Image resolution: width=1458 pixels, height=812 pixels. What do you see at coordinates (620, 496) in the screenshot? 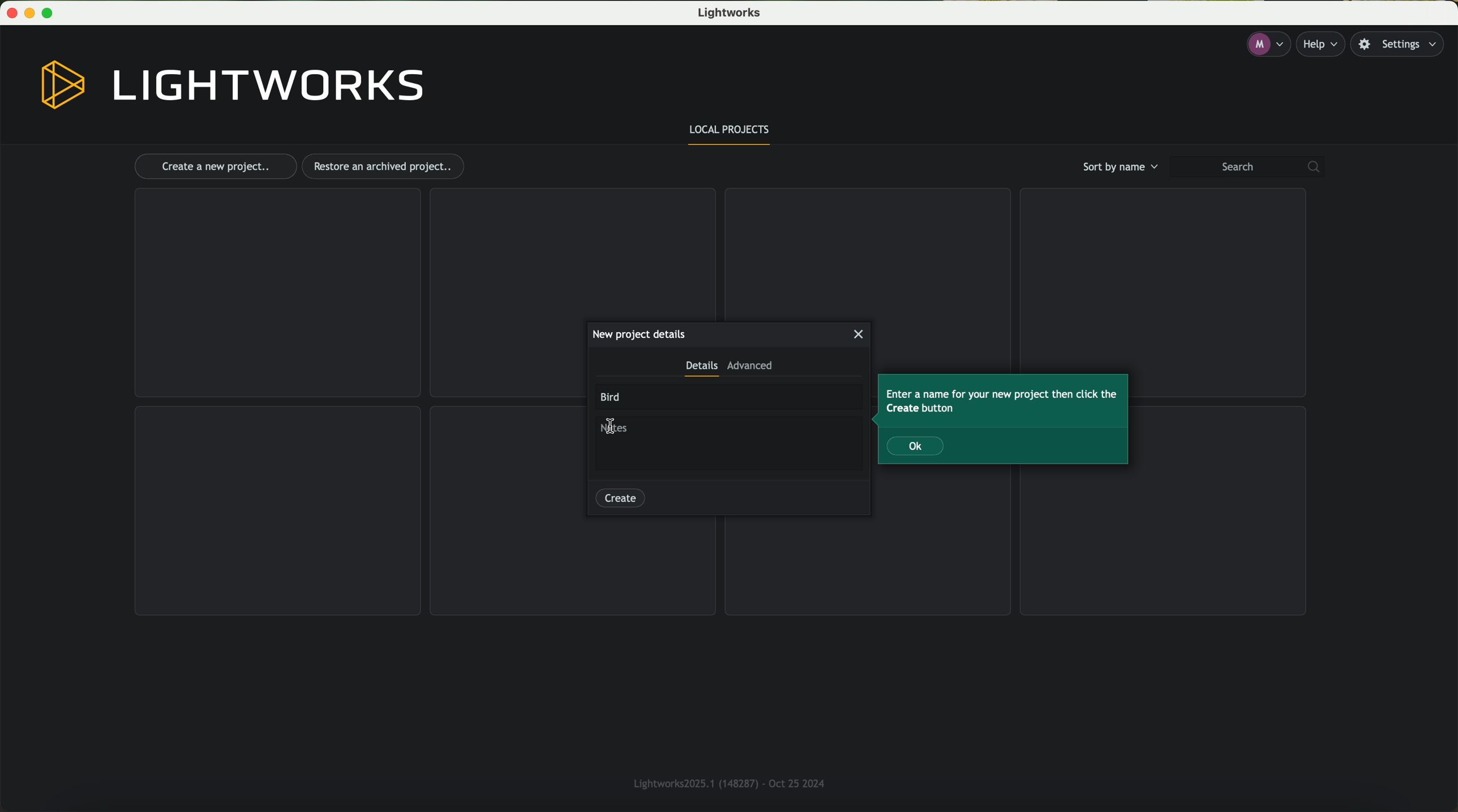
I see `create button` at bounding box center [620, 496].